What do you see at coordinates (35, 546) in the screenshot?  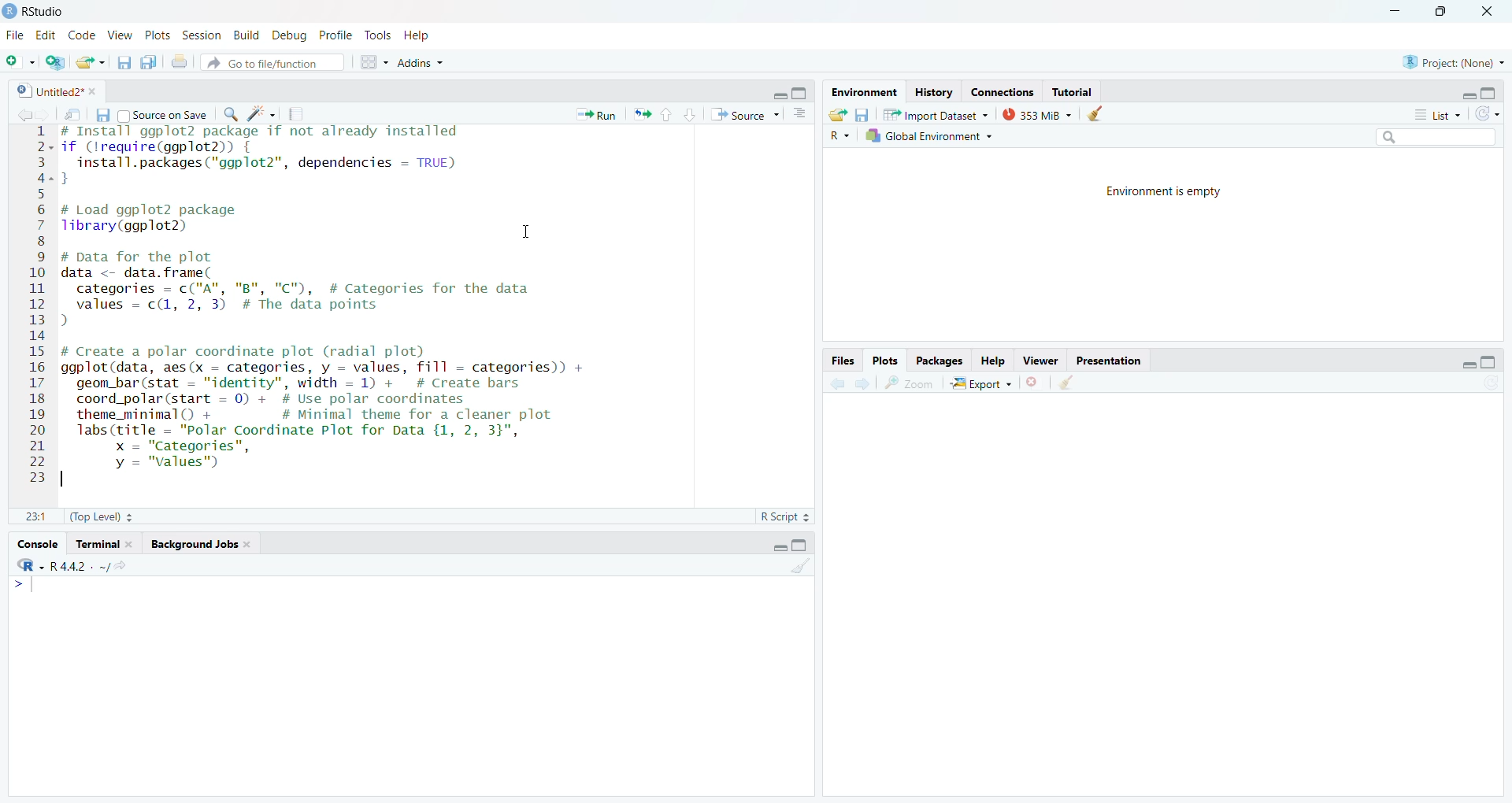 I see `Console` at bounding box center [35, 546].